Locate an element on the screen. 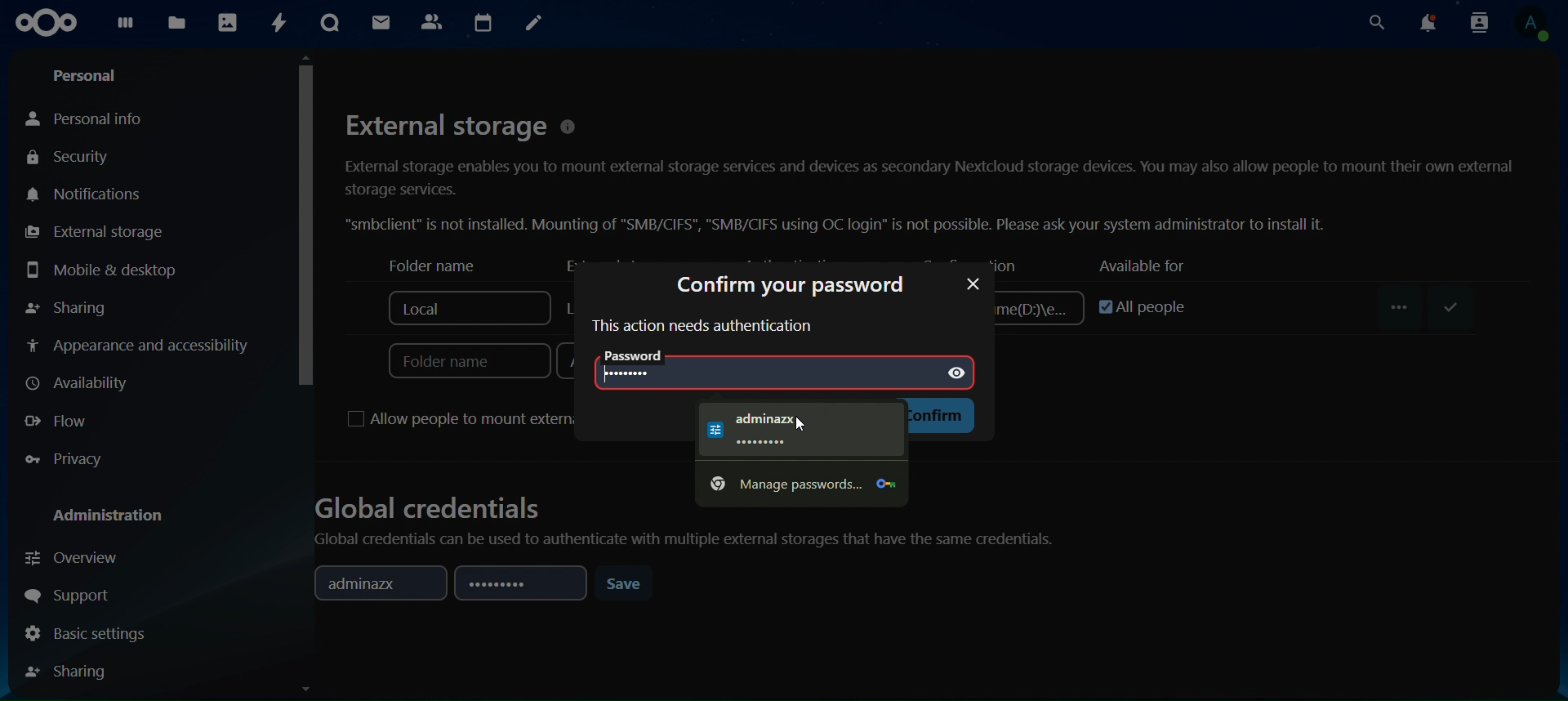 This screenshot has height=701, width=1568. external storage is located at coordinates (93, 232).